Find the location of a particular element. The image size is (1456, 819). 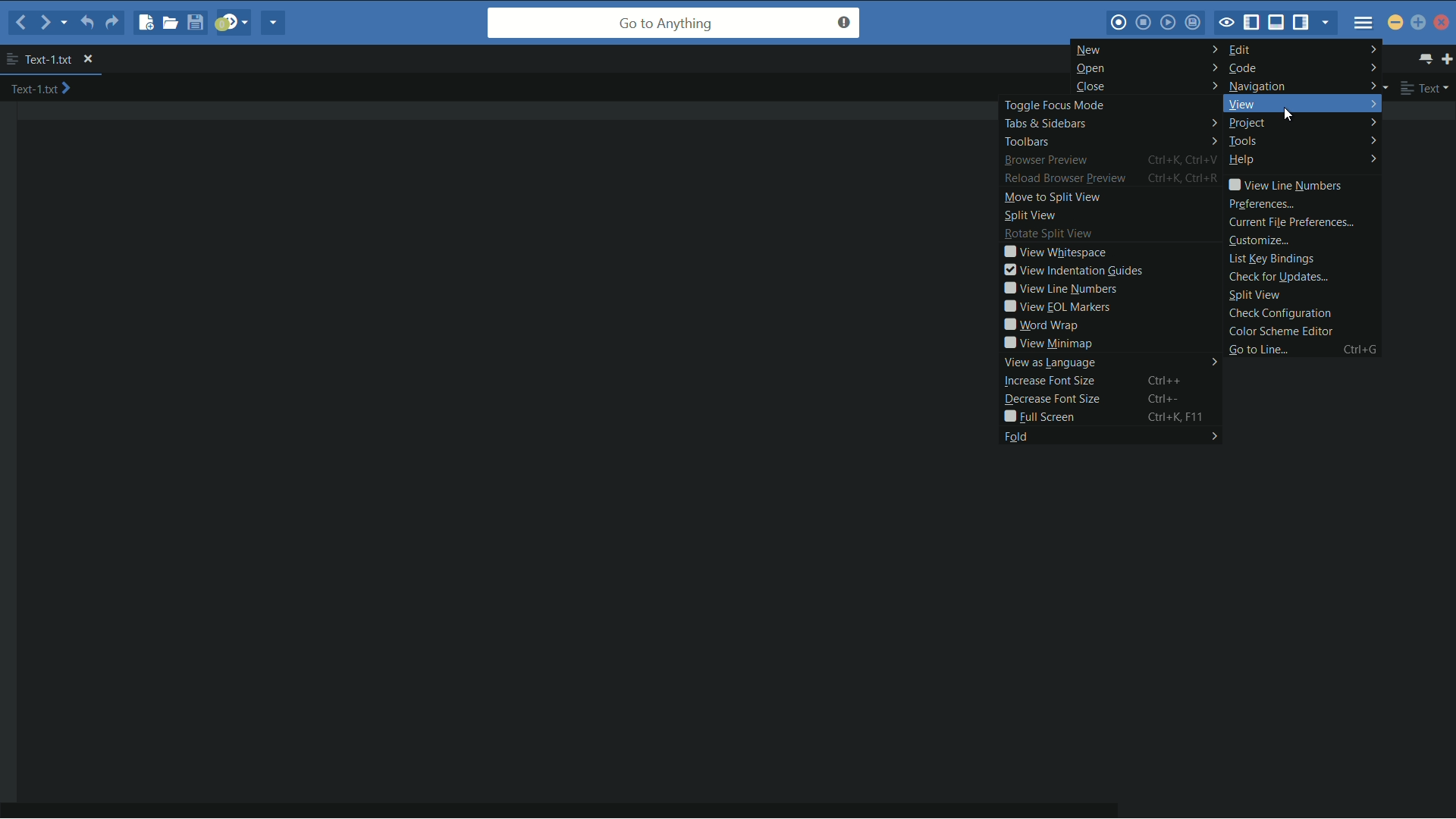

check for updates is located at coordinates (1279, 276).